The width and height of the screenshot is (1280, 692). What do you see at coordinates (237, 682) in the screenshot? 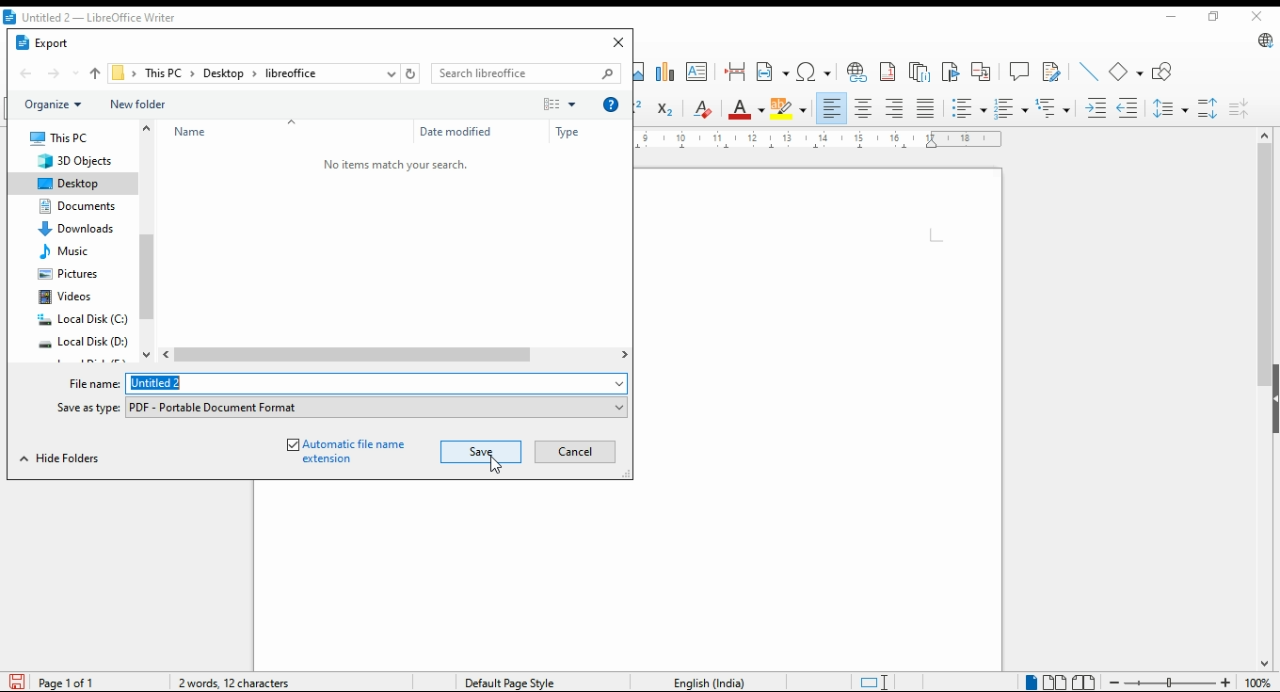
I see `document information` at bounding box center [237, 682].